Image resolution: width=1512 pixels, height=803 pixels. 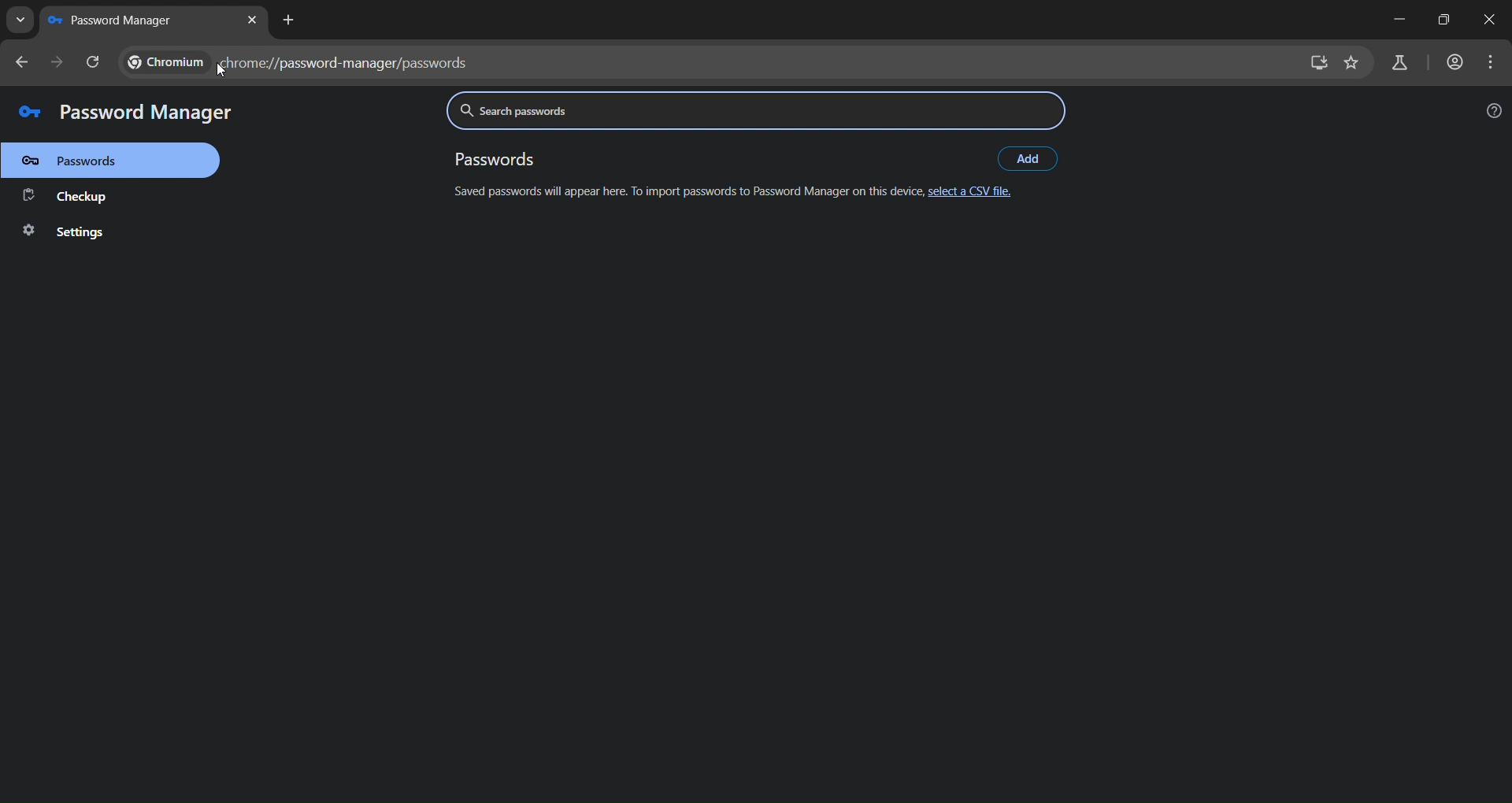 What do you see at coordinates (120, 111) in the screenshot?
I see `password manager` at bounding box center [120, 111].